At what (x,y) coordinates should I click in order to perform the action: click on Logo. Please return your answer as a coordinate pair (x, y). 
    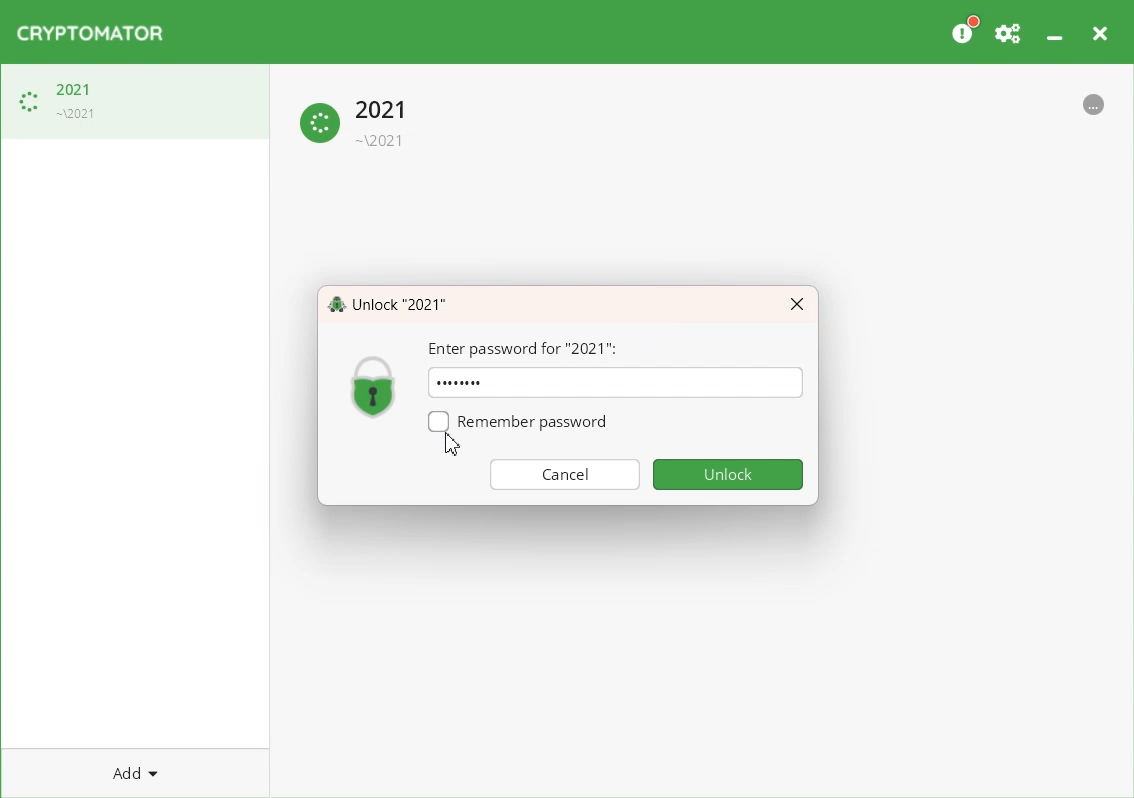
    Looking at the image, I should click on (90, 33).